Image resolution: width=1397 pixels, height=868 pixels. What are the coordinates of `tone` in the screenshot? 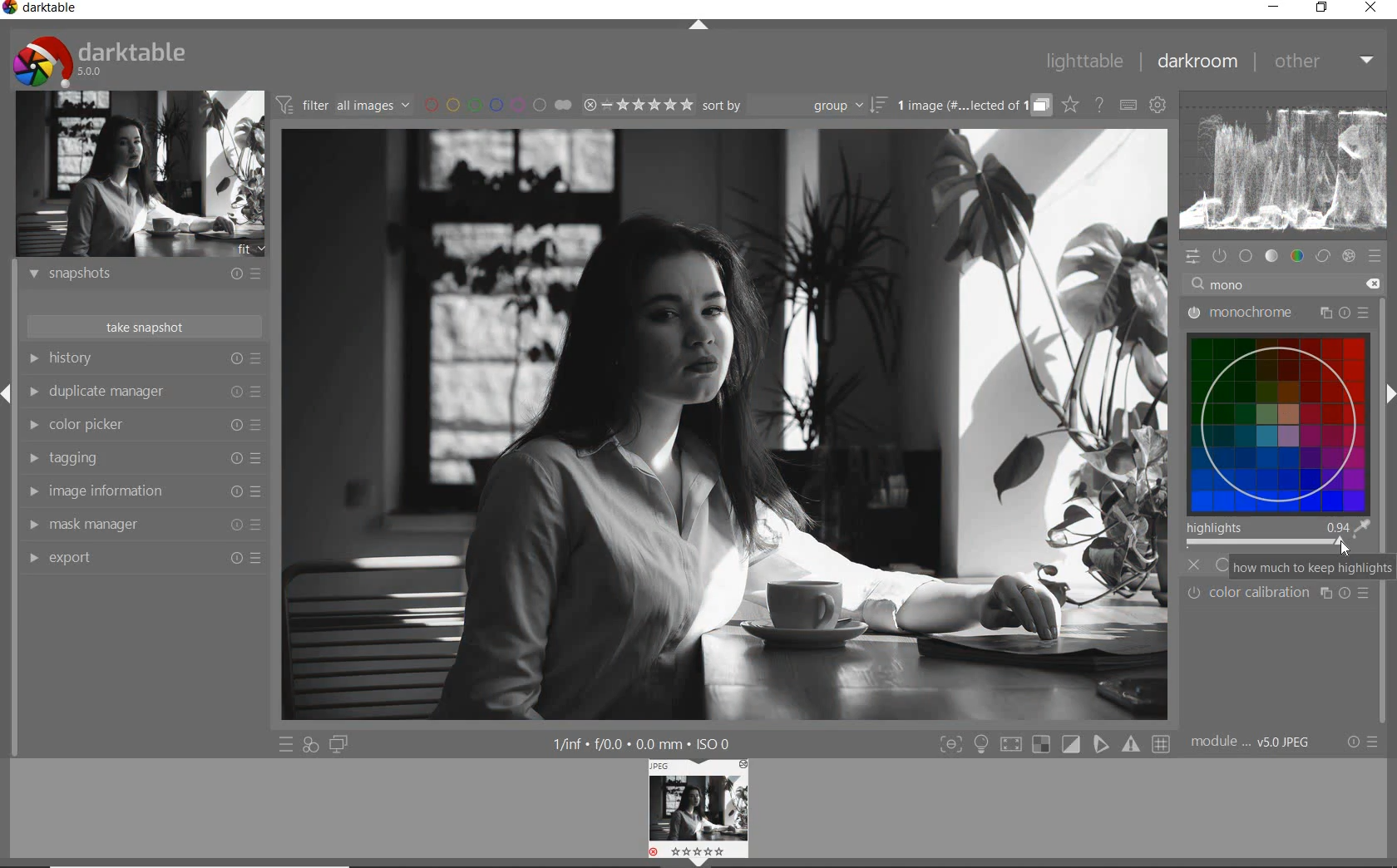 It's located at (1273, 256).